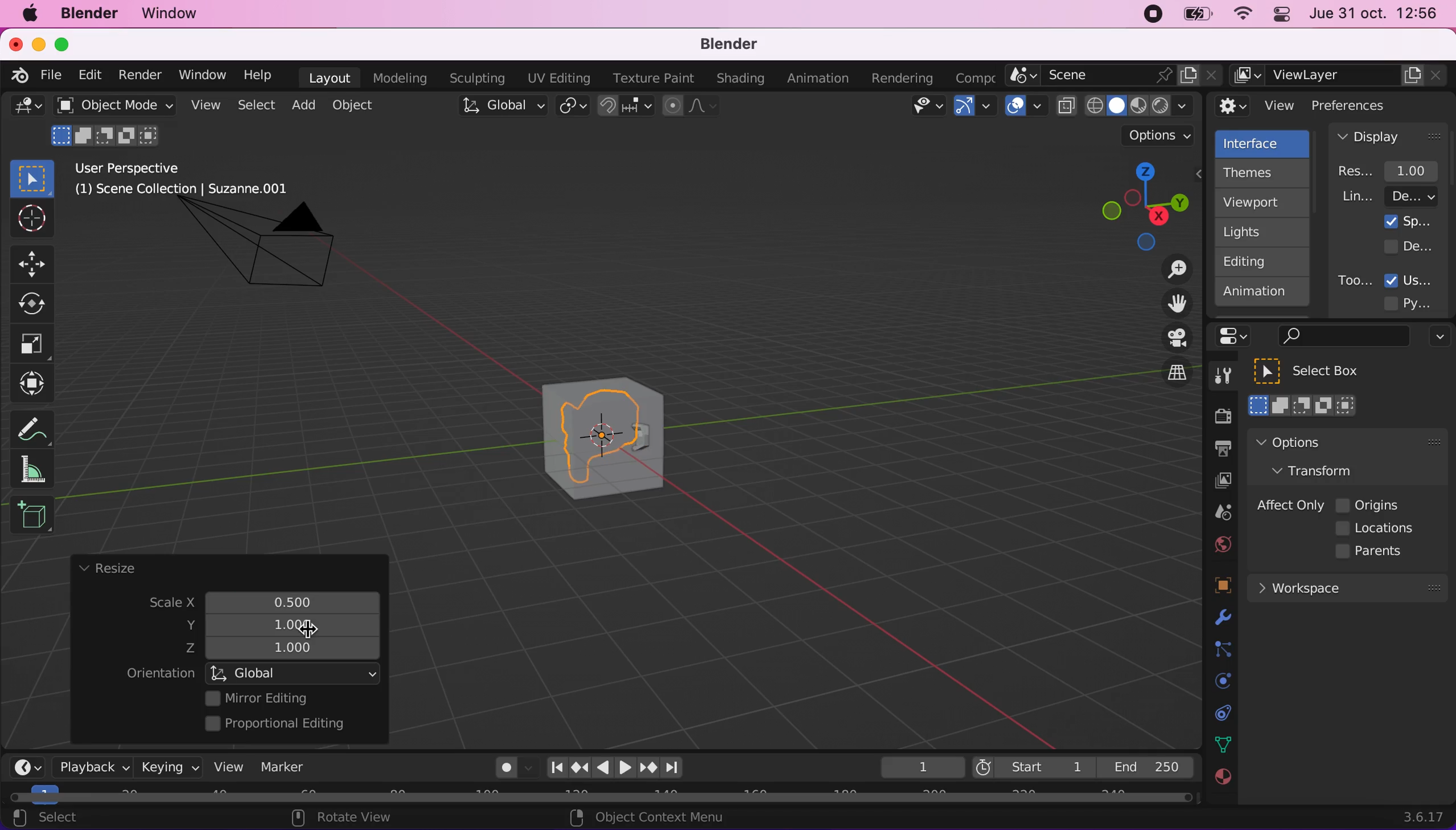 Image resolution: width=1456 pixels, height=830 pixels. What do you see at coordinates (1128, 105) in the screenshot?
I see `viewport shading` at bounding box center [1128, 105].